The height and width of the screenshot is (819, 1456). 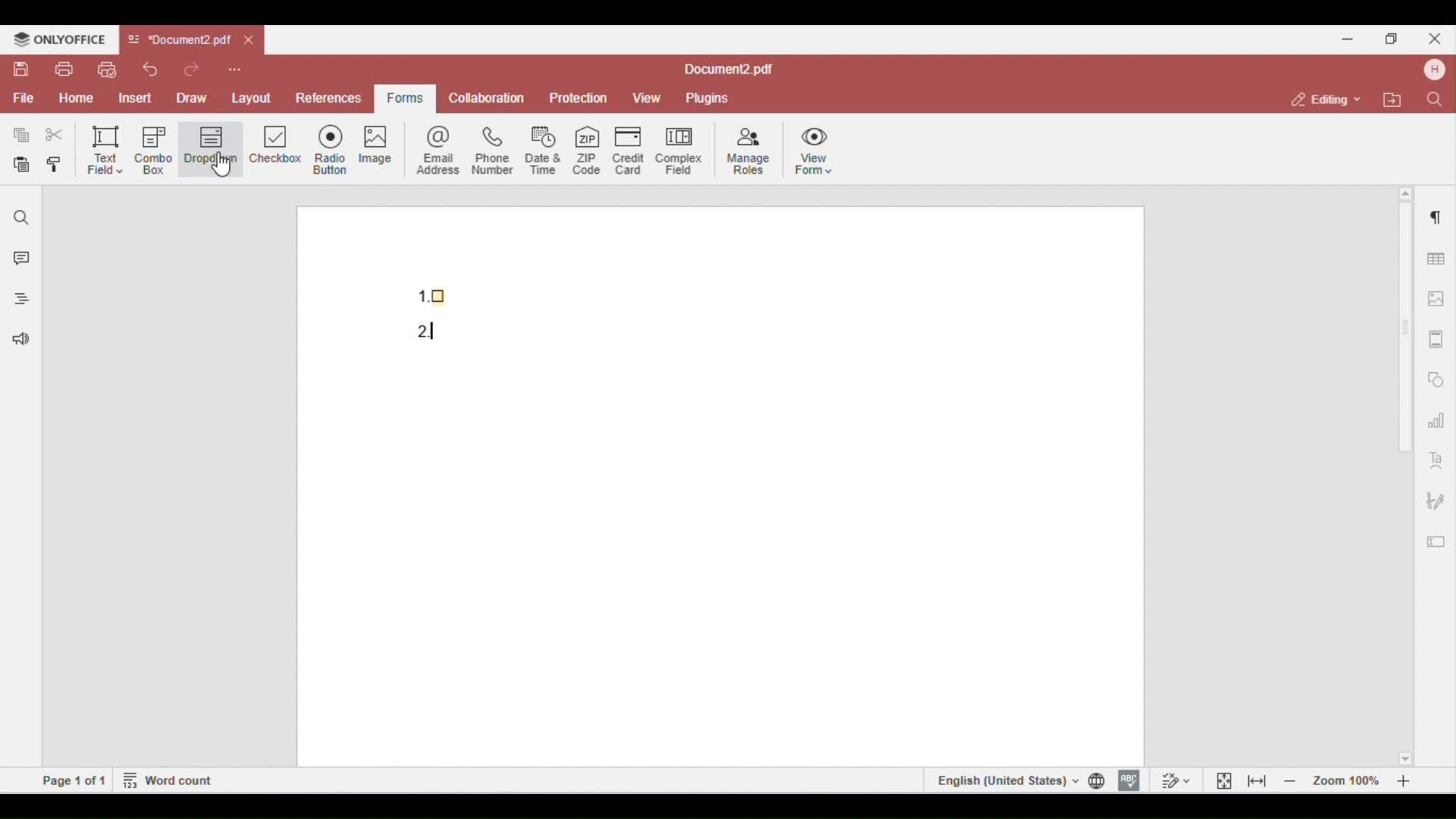 What do you see at coordinates (817, 149) in the screenshot?
I see `view form` at bounding box center [817, 149].